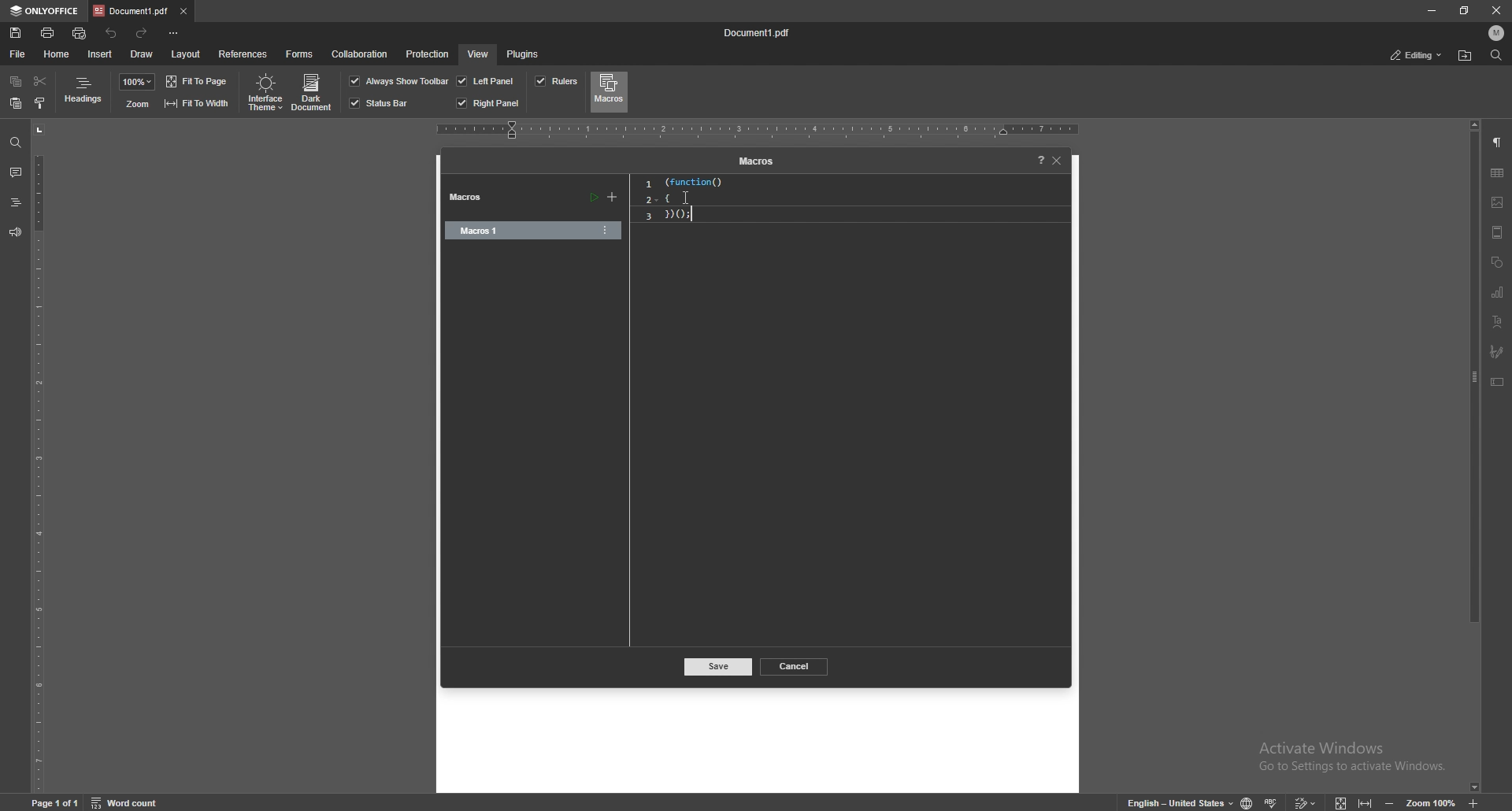 The image size is (1512, 811). Describe the element at coordinates (1417, 54) in the screenshot. I see `status` at that location.